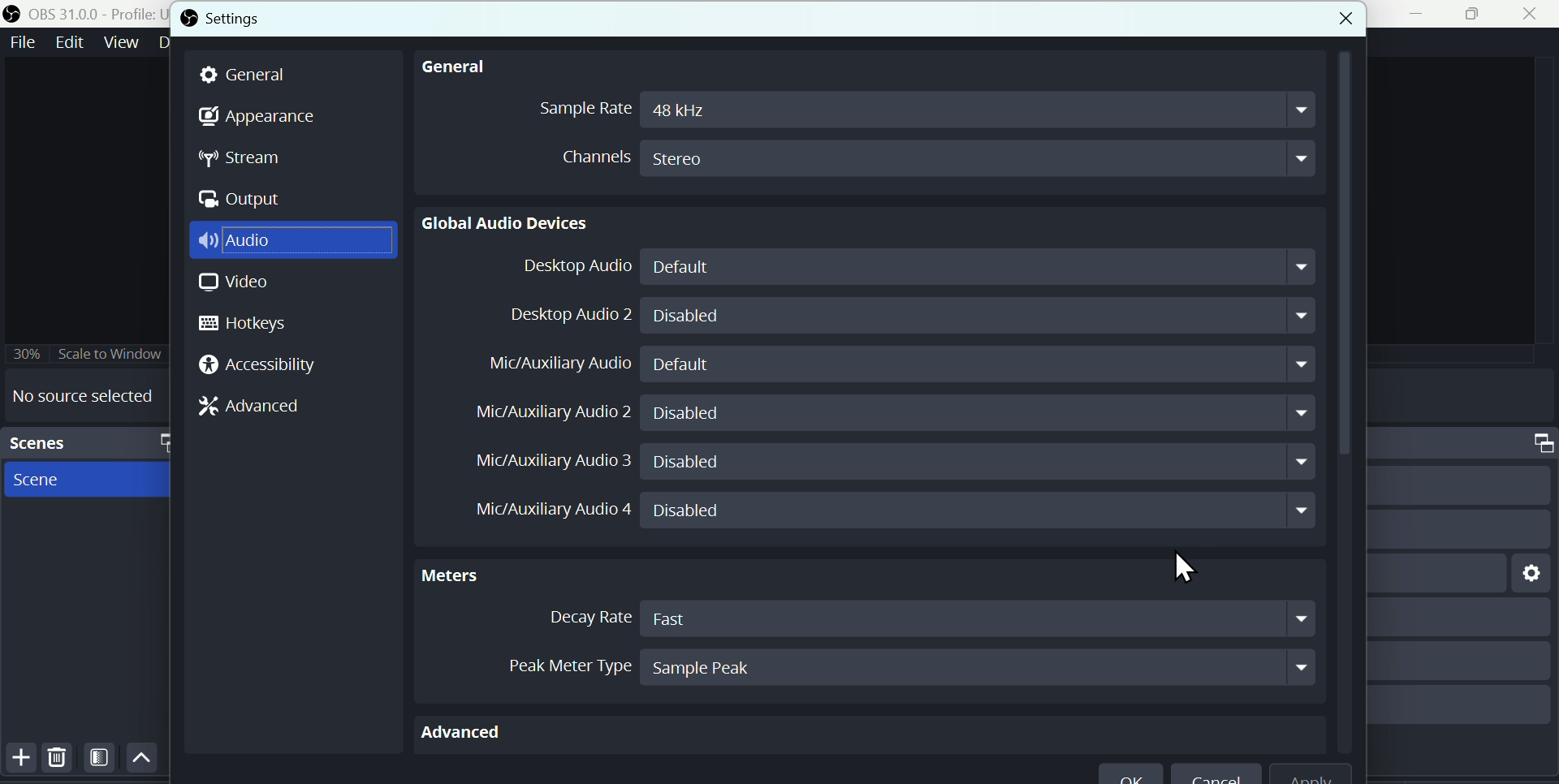  What do you see at coordinates (67, 42) in the screenshot?
I see `Edit` at bounding box center [67, 42].